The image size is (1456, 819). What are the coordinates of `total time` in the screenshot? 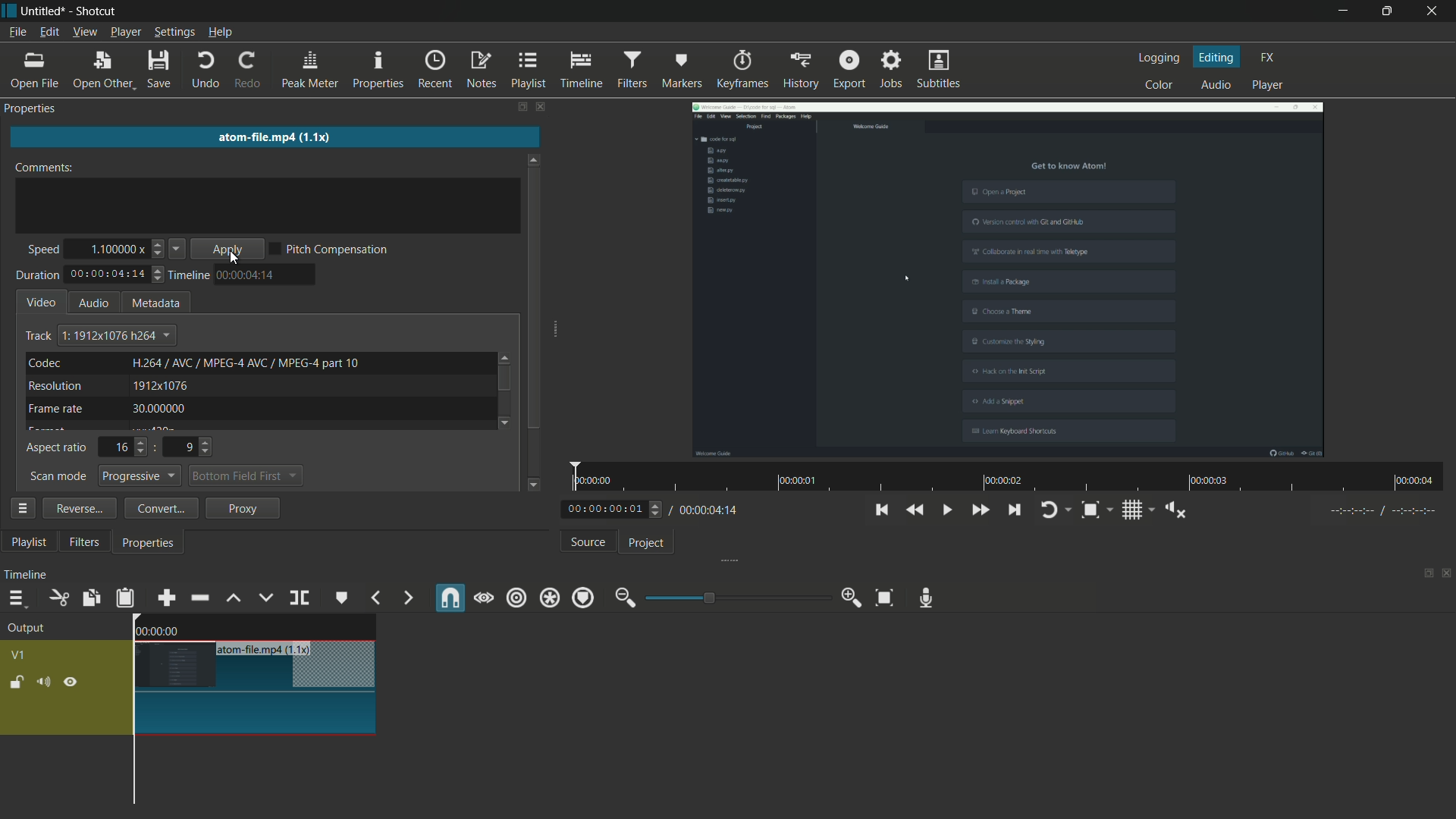 It's located at (708, 510).